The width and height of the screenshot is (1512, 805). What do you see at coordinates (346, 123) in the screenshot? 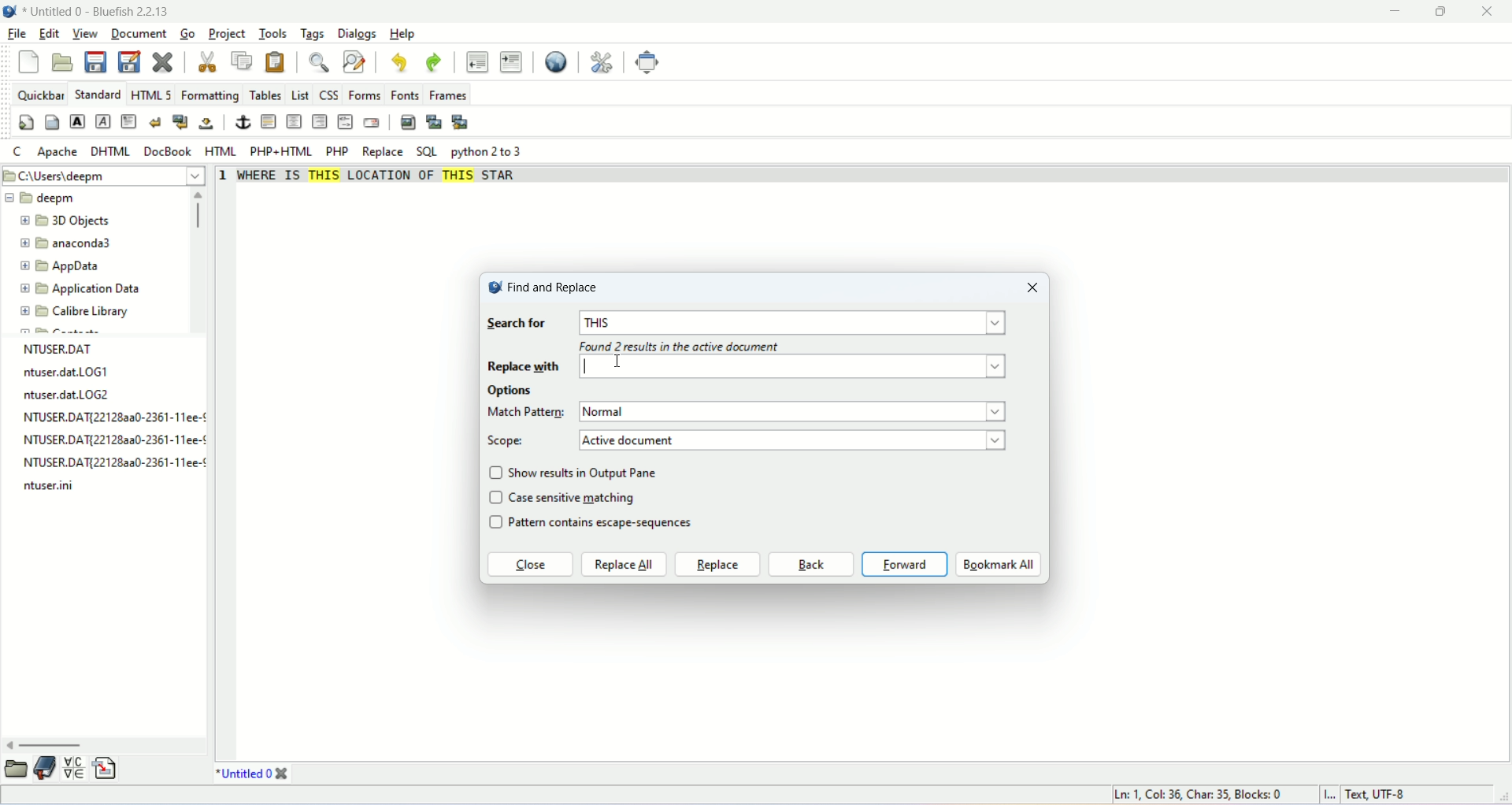
I see `html comment` at bounding box center [346, 123].